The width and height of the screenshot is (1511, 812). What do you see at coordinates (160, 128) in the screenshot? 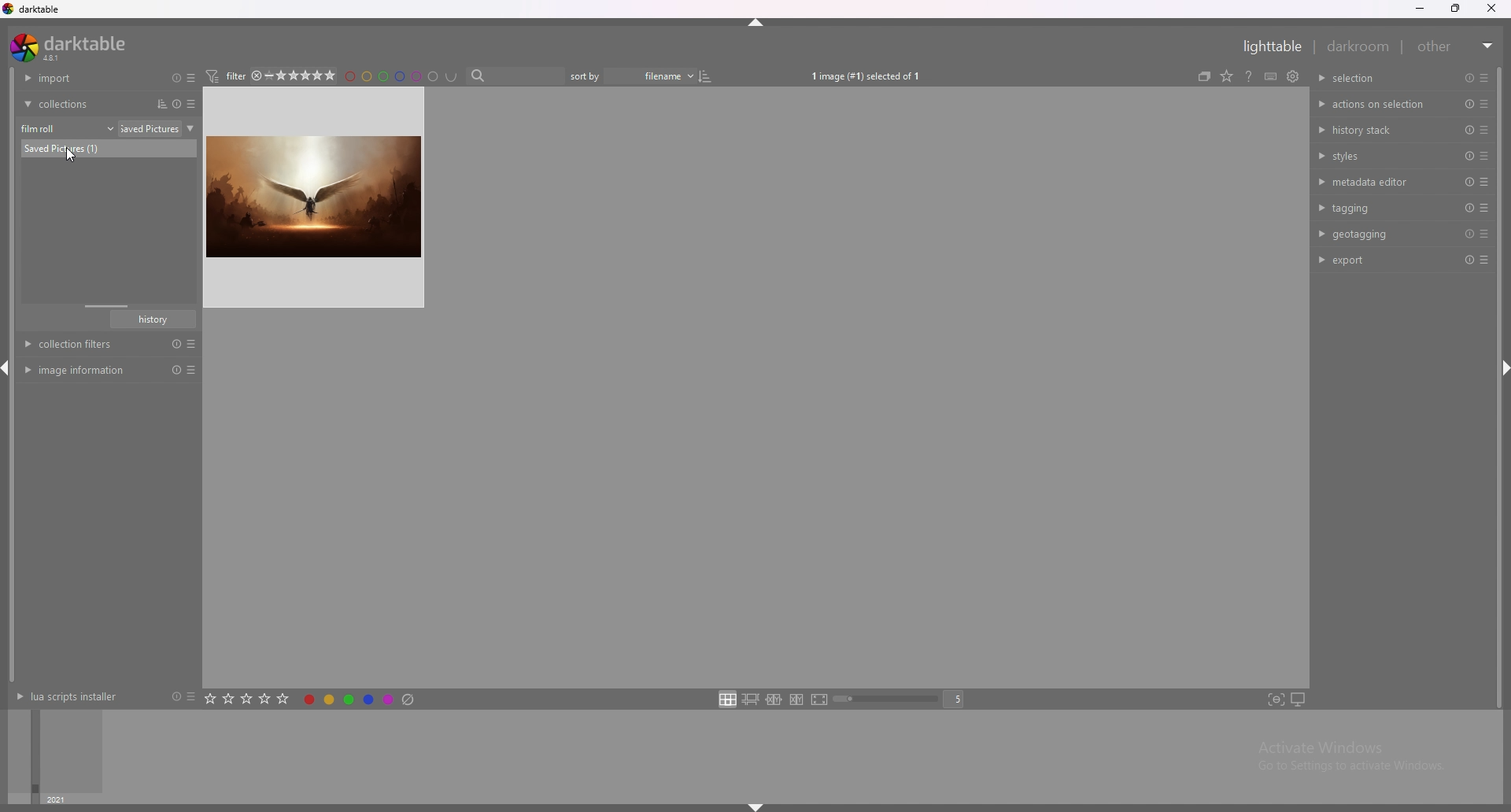
I see `folder name` at bounding box center [160, 128].